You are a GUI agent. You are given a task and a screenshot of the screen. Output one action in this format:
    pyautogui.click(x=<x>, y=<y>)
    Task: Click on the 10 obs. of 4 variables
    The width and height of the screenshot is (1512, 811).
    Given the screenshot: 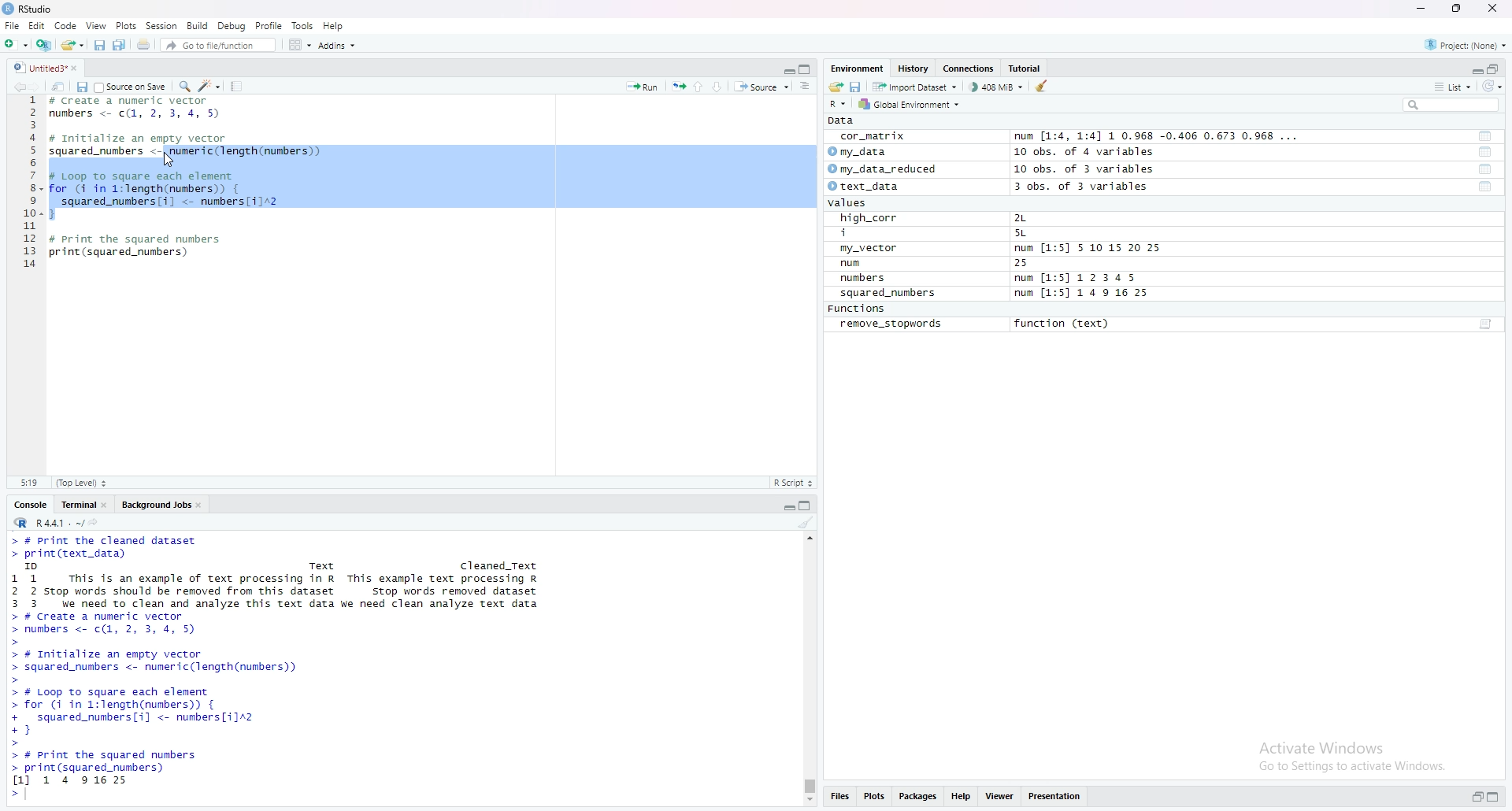 What is the action you would take?
    pyautogui.click(x=1084, y=152)
    